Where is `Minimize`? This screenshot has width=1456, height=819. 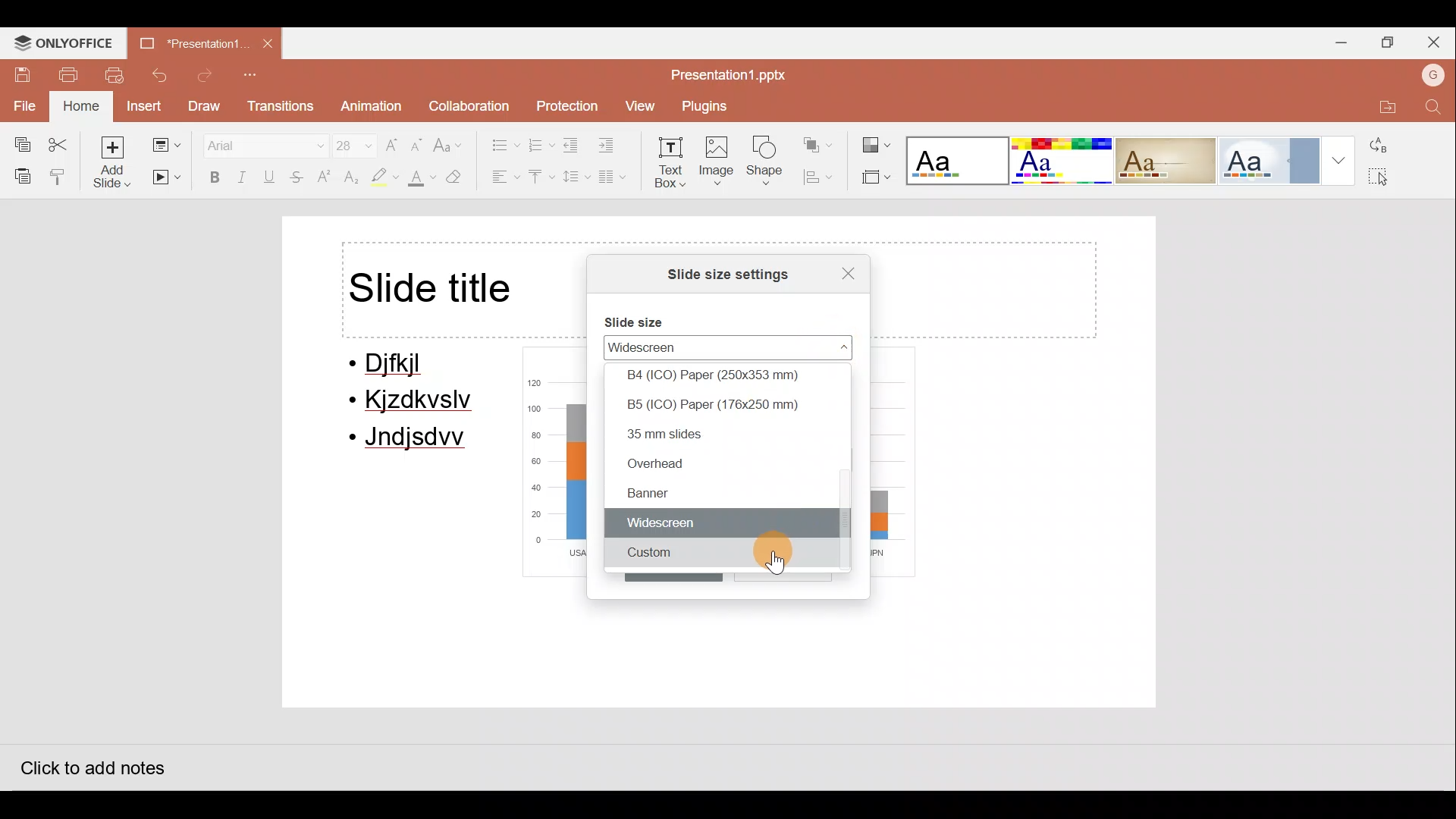
Minimize is located at coordinates (1338, 40).